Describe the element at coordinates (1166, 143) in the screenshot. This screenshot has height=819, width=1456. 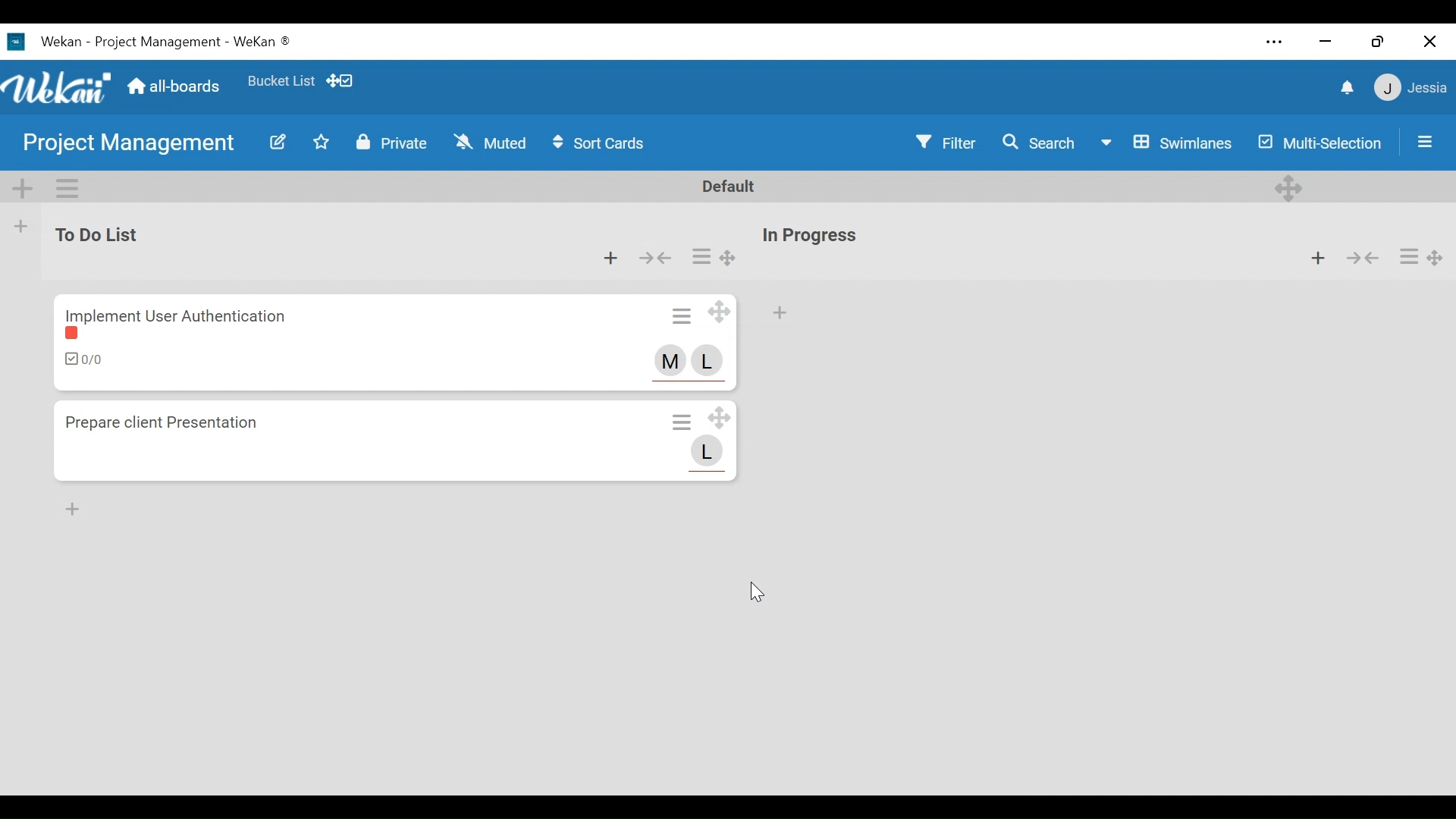
I see `Swimlanes` at that location.